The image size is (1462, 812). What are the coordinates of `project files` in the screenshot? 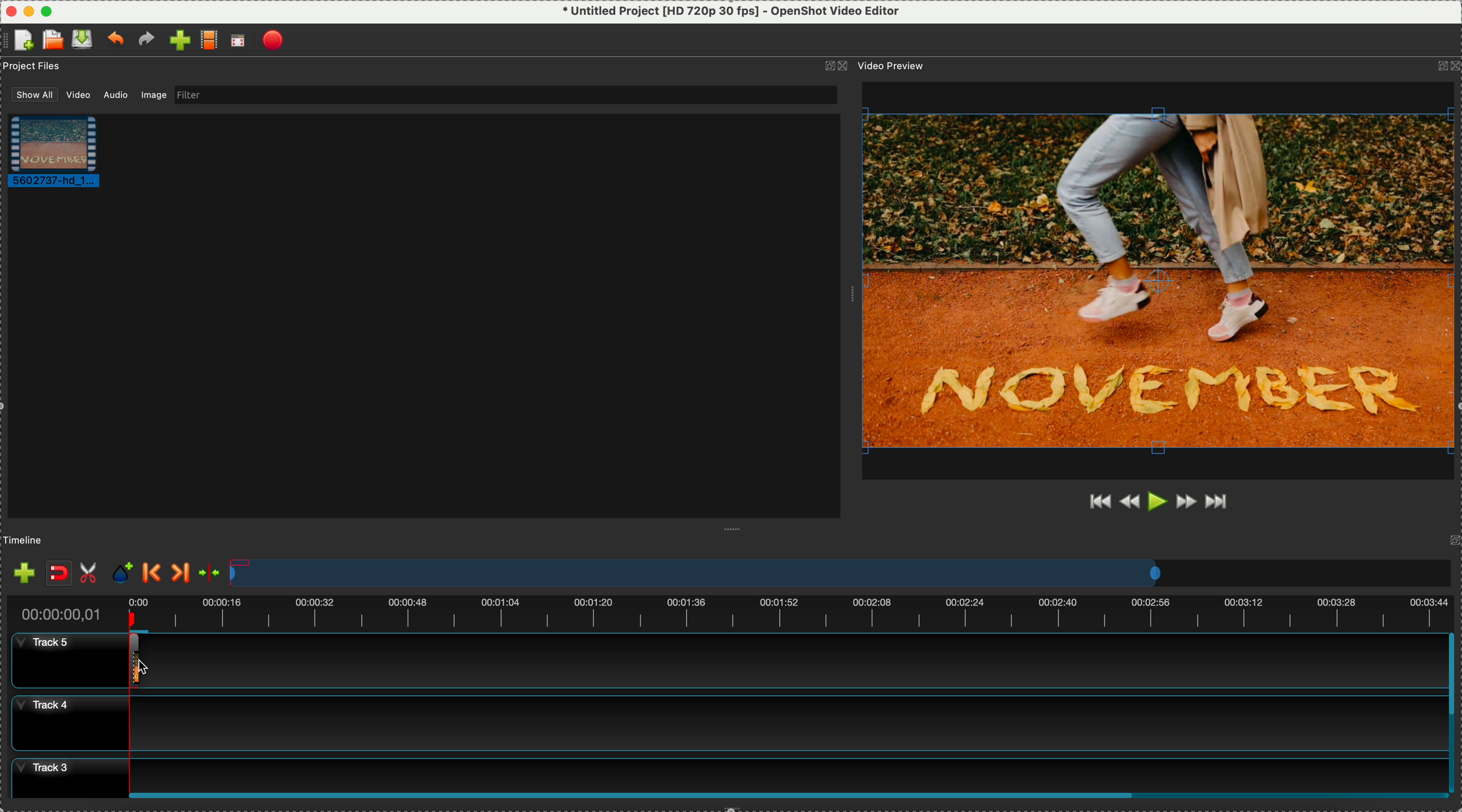 It's located at (33, 68).